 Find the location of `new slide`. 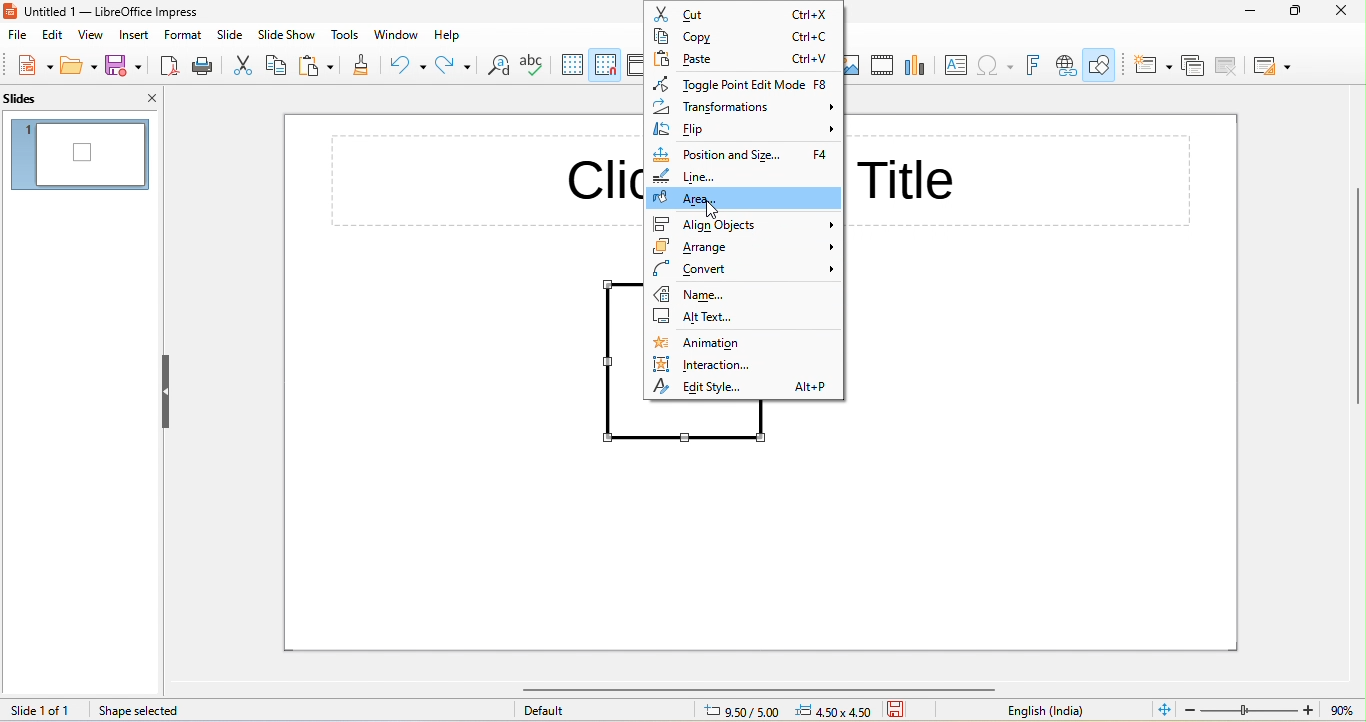

new slide is located at coordinates (1152, 65).